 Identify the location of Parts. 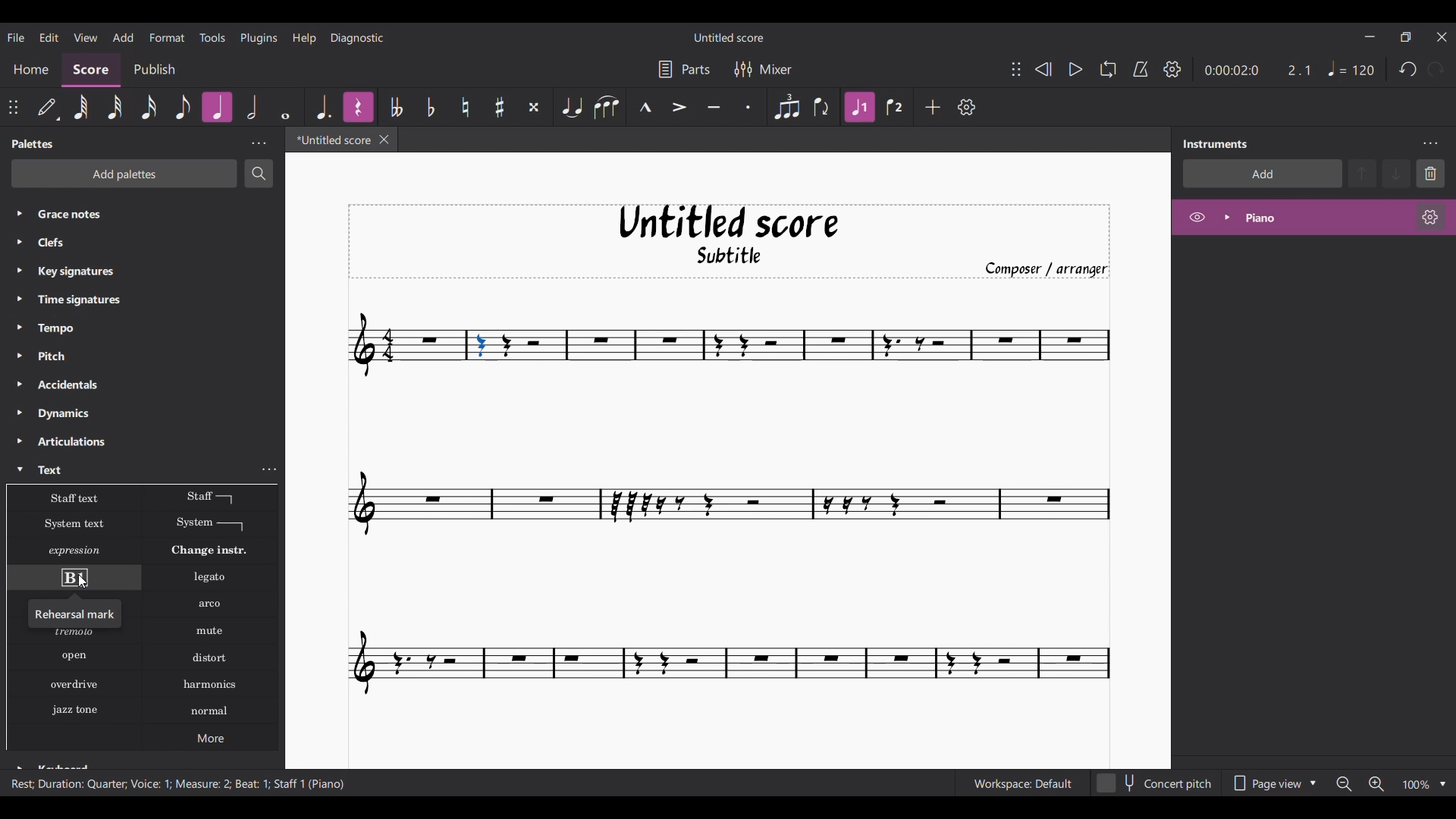
(683, 69).